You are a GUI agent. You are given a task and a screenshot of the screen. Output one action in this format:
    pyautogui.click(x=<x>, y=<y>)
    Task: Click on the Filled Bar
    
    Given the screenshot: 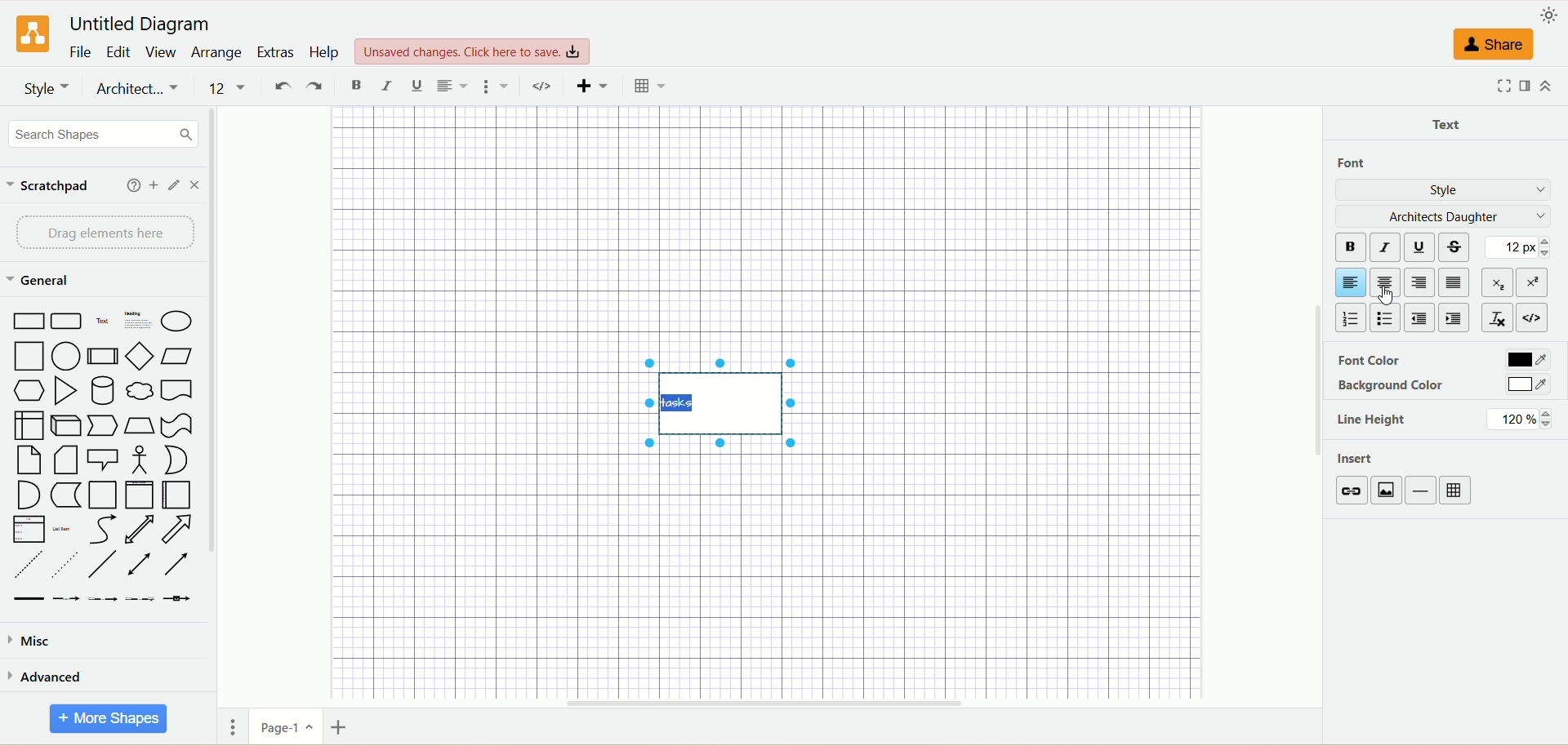 What is the action you would take?
    pyautogui.click(x=29, y=600)
    